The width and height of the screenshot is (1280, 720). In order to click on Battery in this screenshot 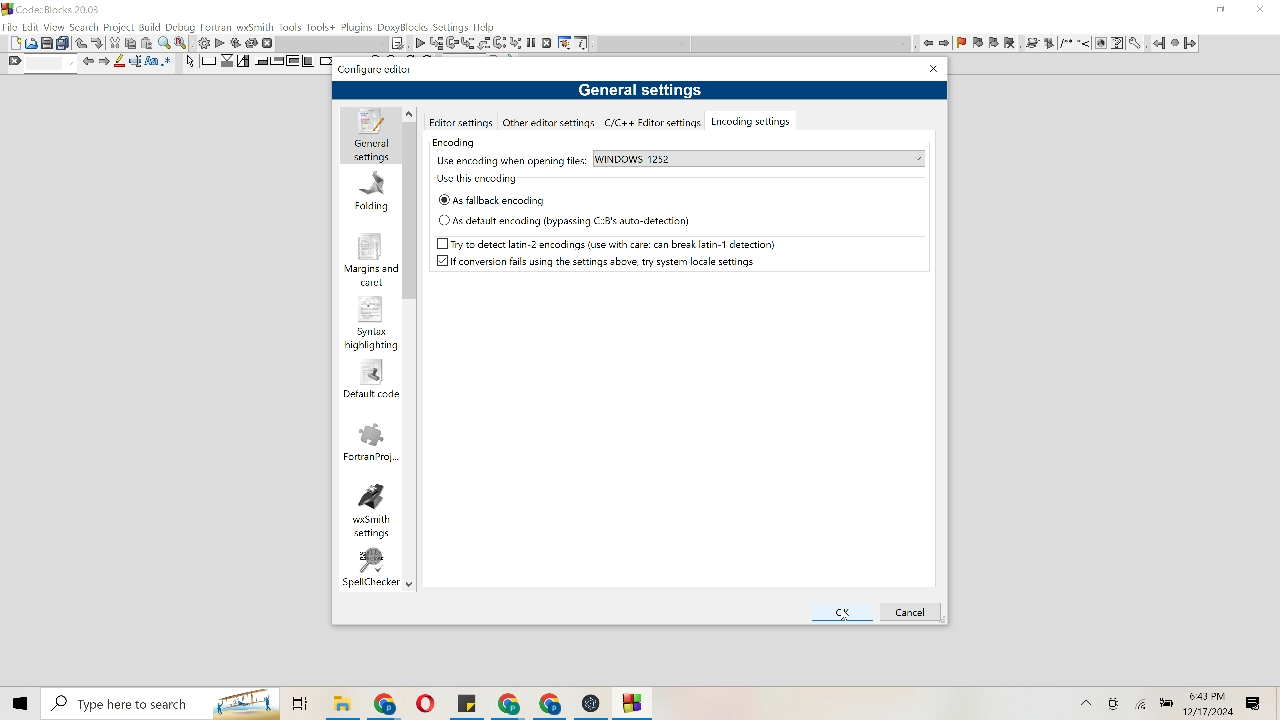, I will do `click(1167, 702)`.